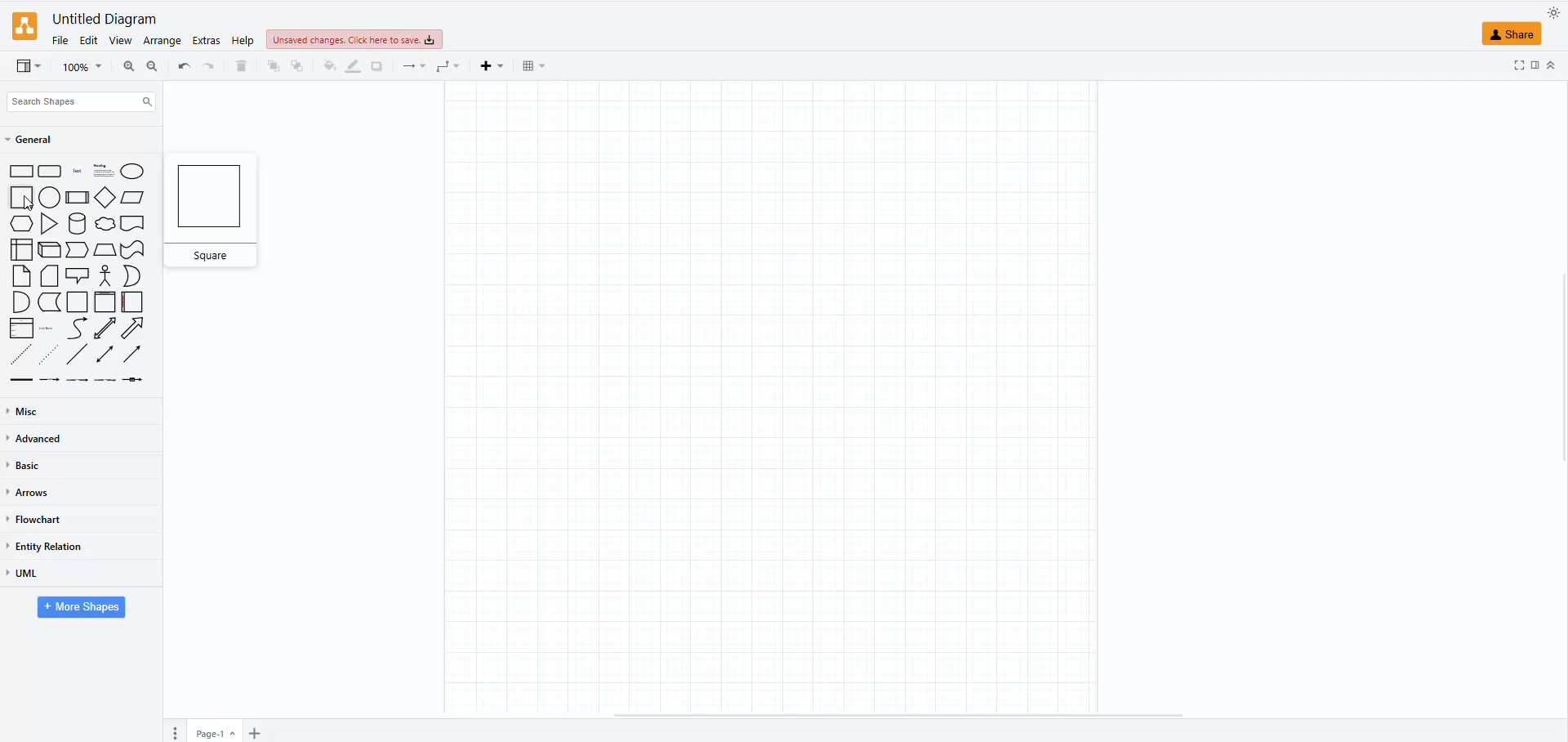 This screenshot has width=1568, height=742. What do you see at coordinates (42, 440) in the screenshot?
I see `advanced` at bounding box center [42, 440].